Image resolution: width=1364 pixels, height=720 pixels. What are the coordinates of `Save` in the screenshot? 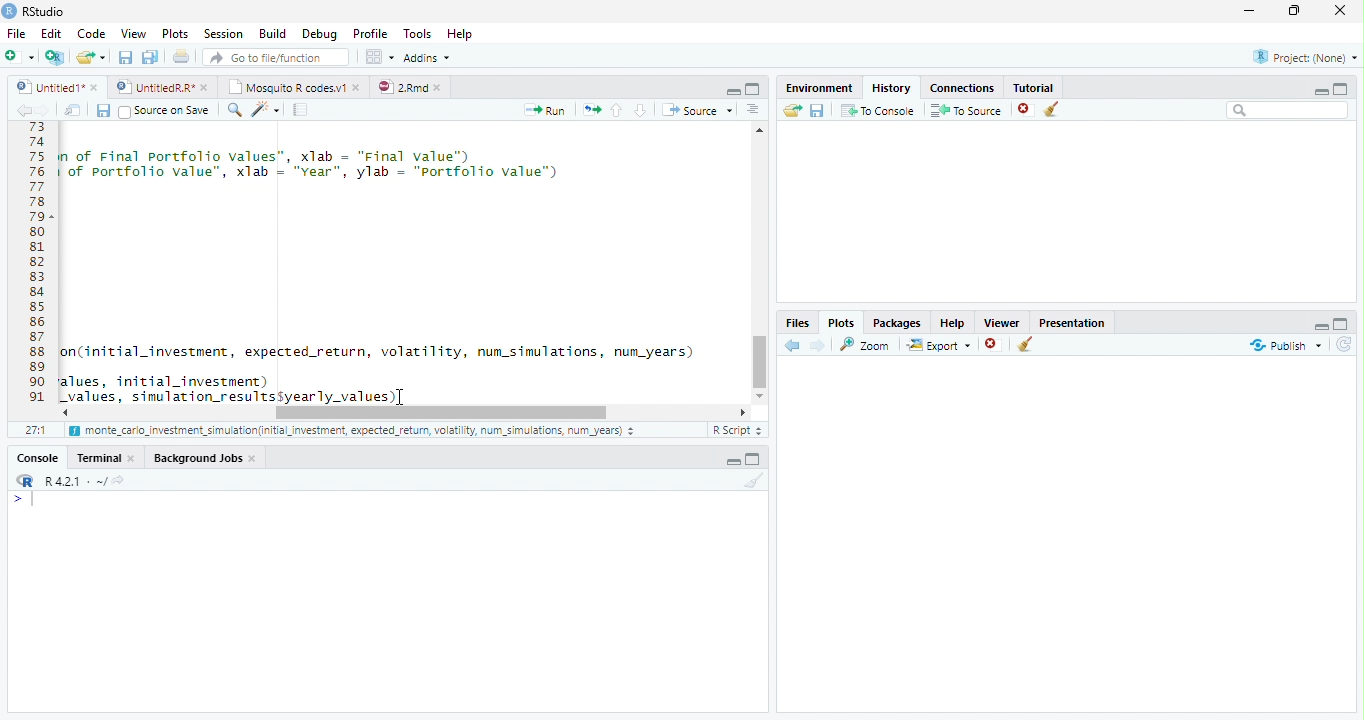 It's located at (103, 110).